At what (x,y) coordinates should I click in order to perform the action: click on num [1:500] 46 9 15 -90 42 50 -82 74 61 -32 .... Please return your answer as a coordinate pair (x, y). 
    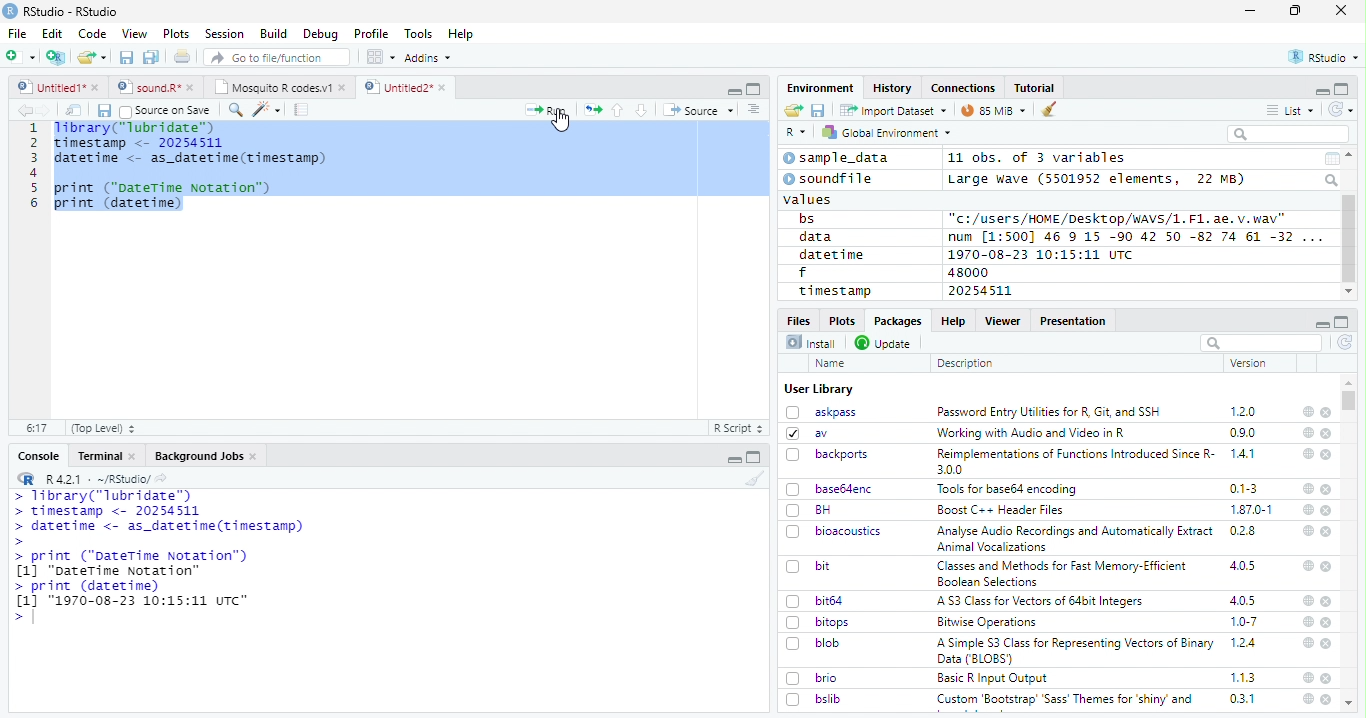
    Looking at the image, I should click on (1135, 236).